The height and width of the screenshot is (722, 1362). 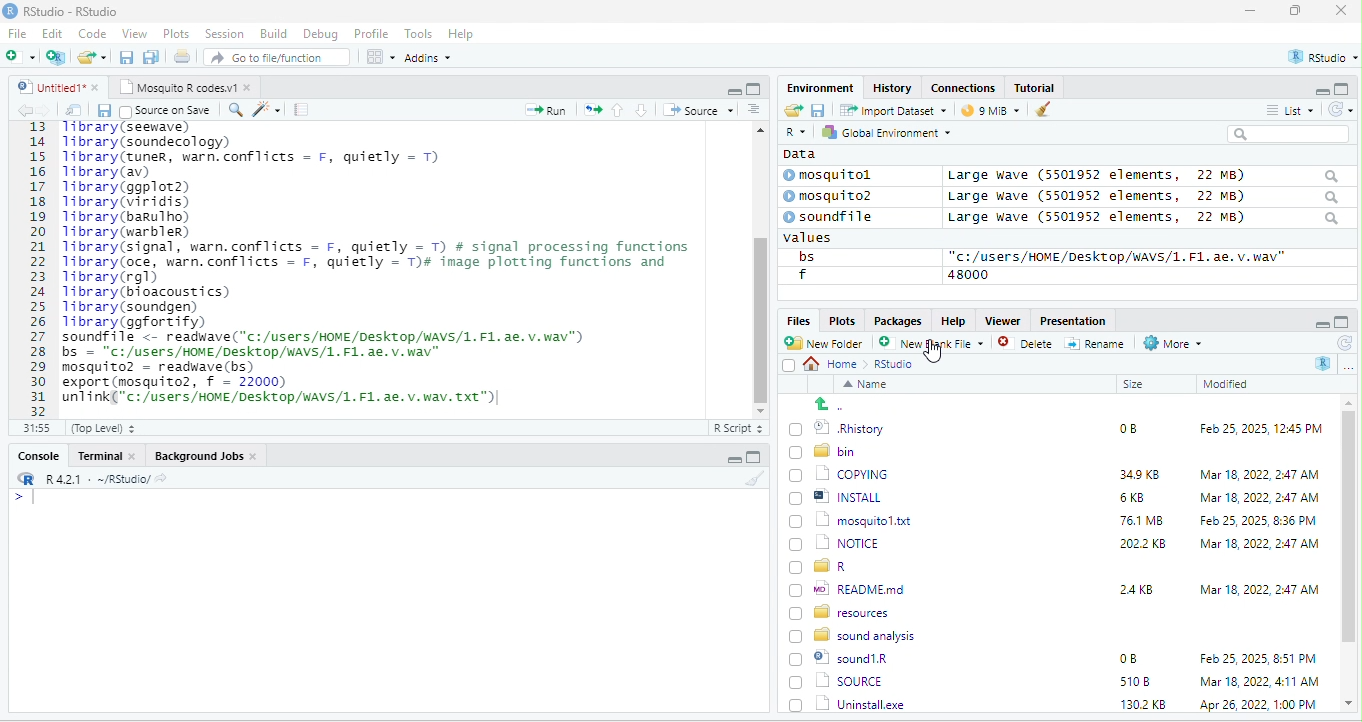 I want to click on Terminal, so click(x=107, y=455).